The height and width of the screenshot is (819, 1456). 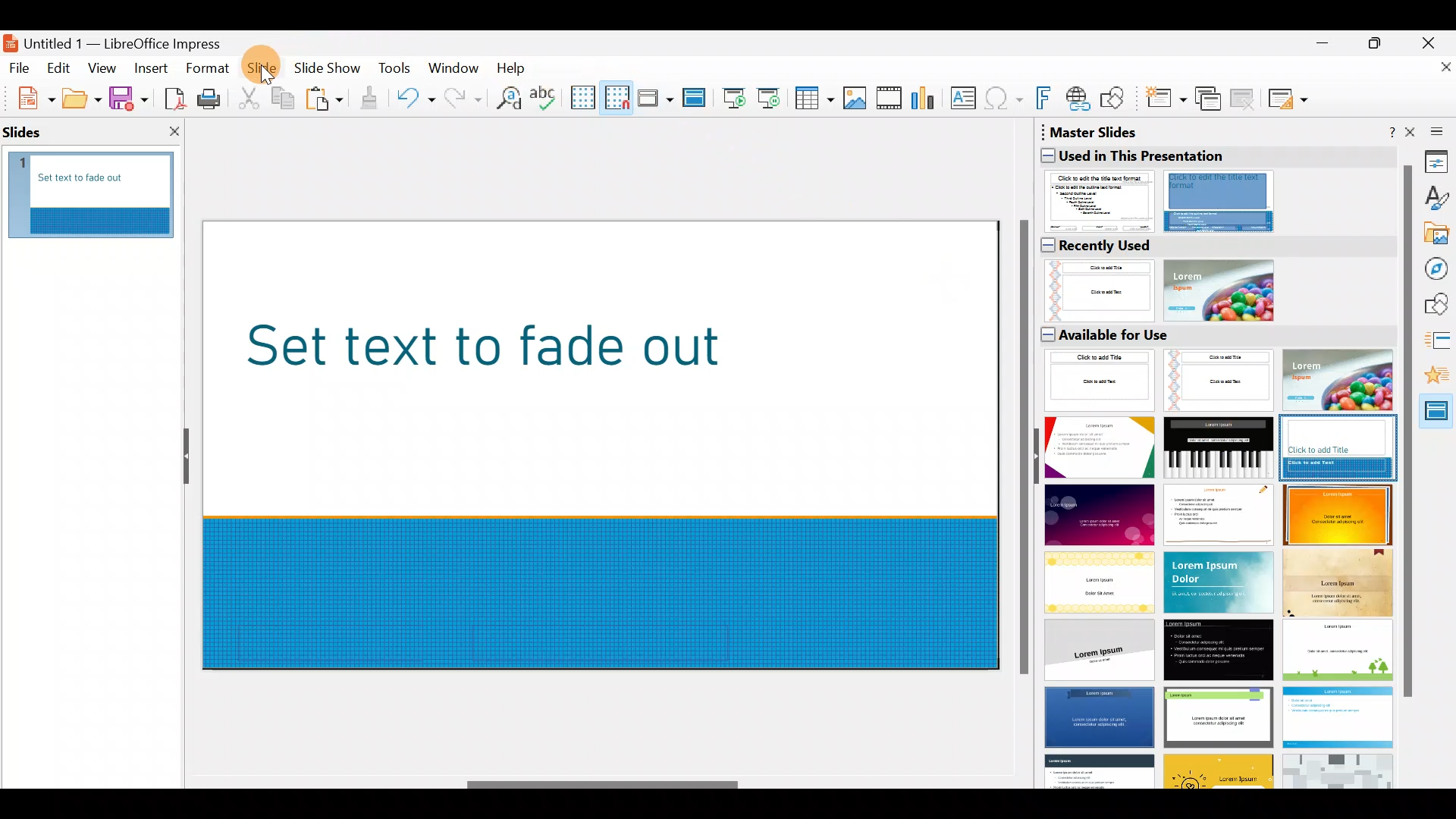 I want to click on slides, so click(x=30, y=128).